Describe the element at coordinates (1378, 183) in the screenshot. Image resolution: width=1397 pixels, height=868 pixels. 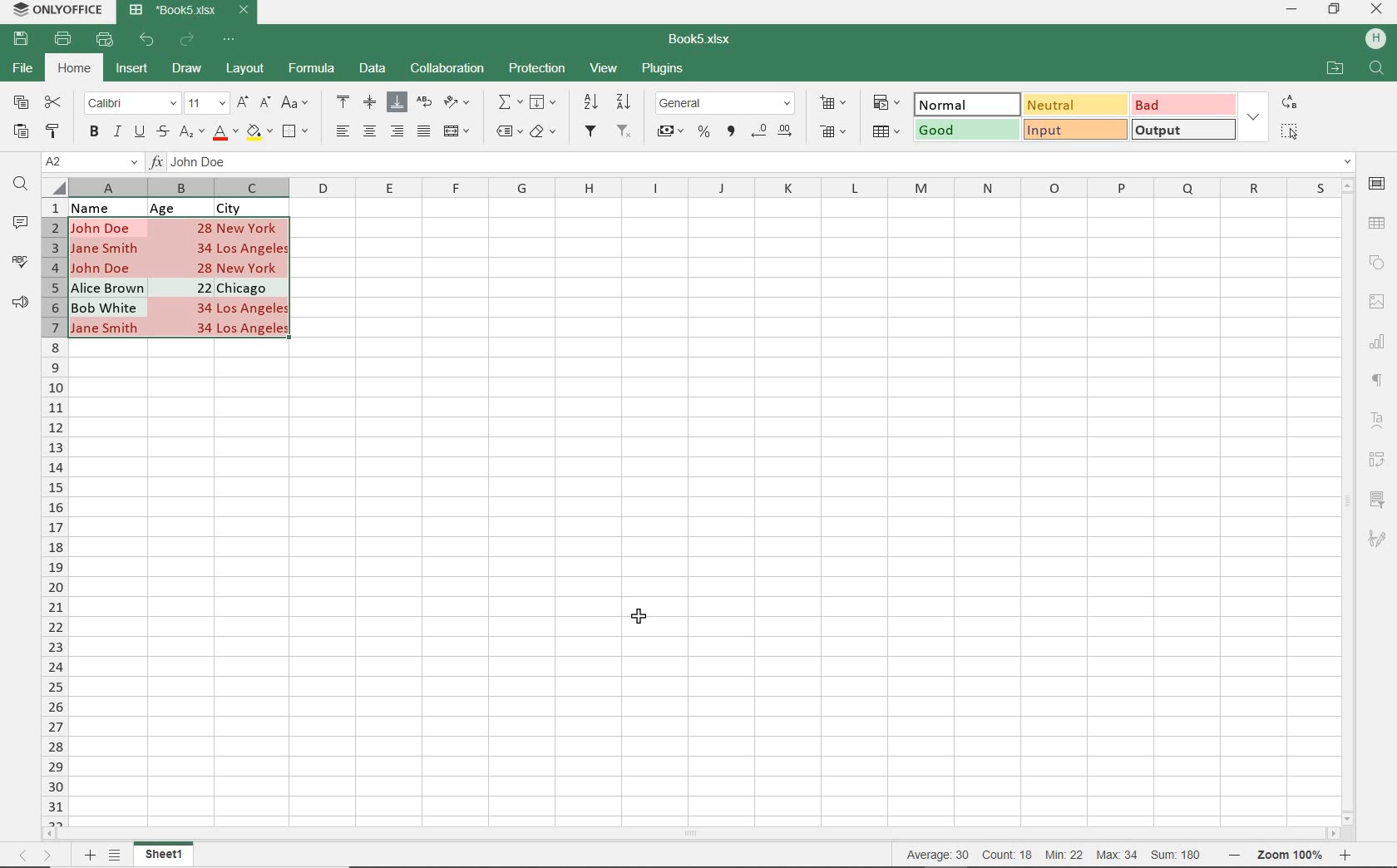
I see `CELL SETTINGS` at that location.